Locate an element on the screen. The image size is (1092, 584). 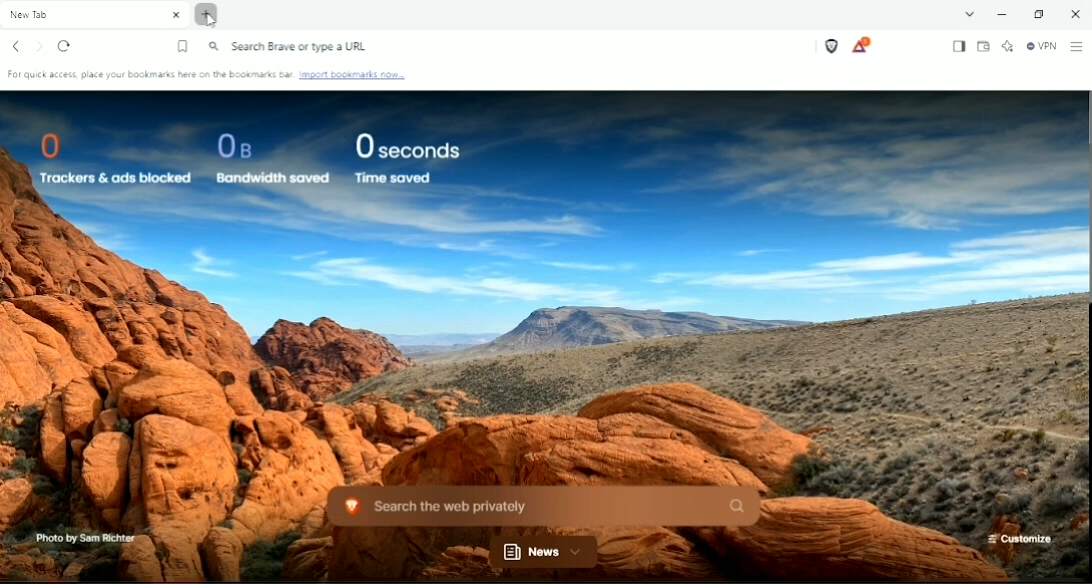
For quick access, place your bookmarks here on the bookmarks bar. Import bookmarks now.. is located at coordinates (212, 75).